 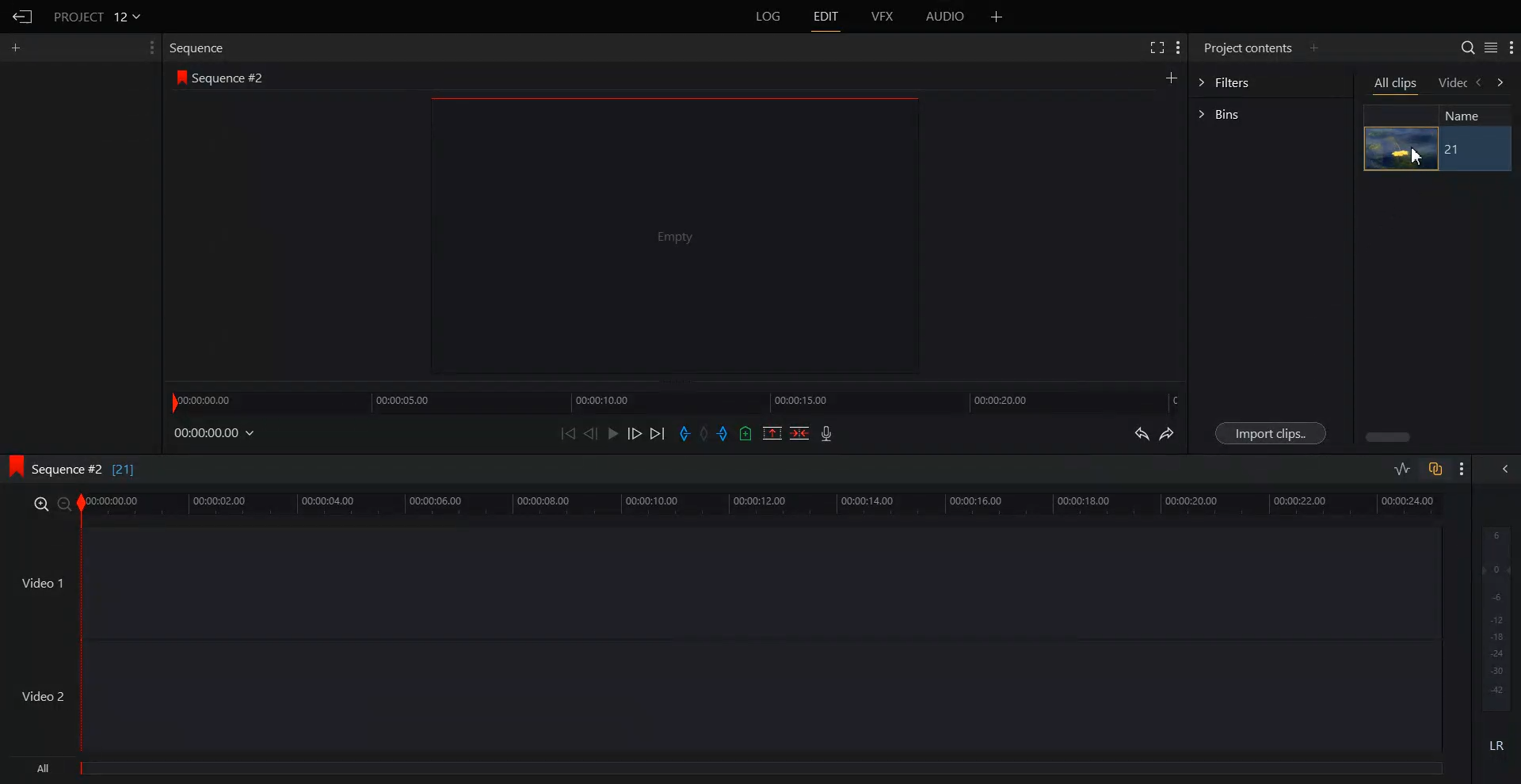 I want to click on 00:00:00.00 , so click(x=216, y=432).